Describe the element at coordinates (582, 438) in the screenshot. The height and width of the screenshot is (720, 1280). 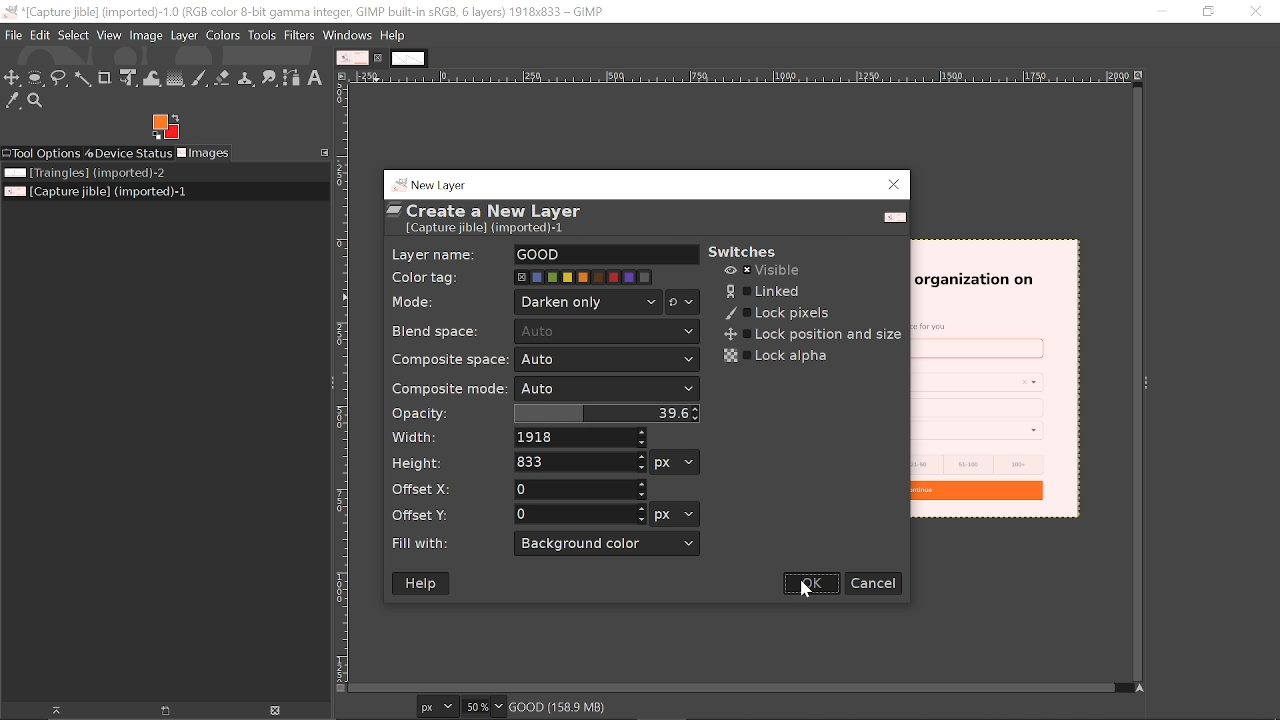
I see `Width` at that location.